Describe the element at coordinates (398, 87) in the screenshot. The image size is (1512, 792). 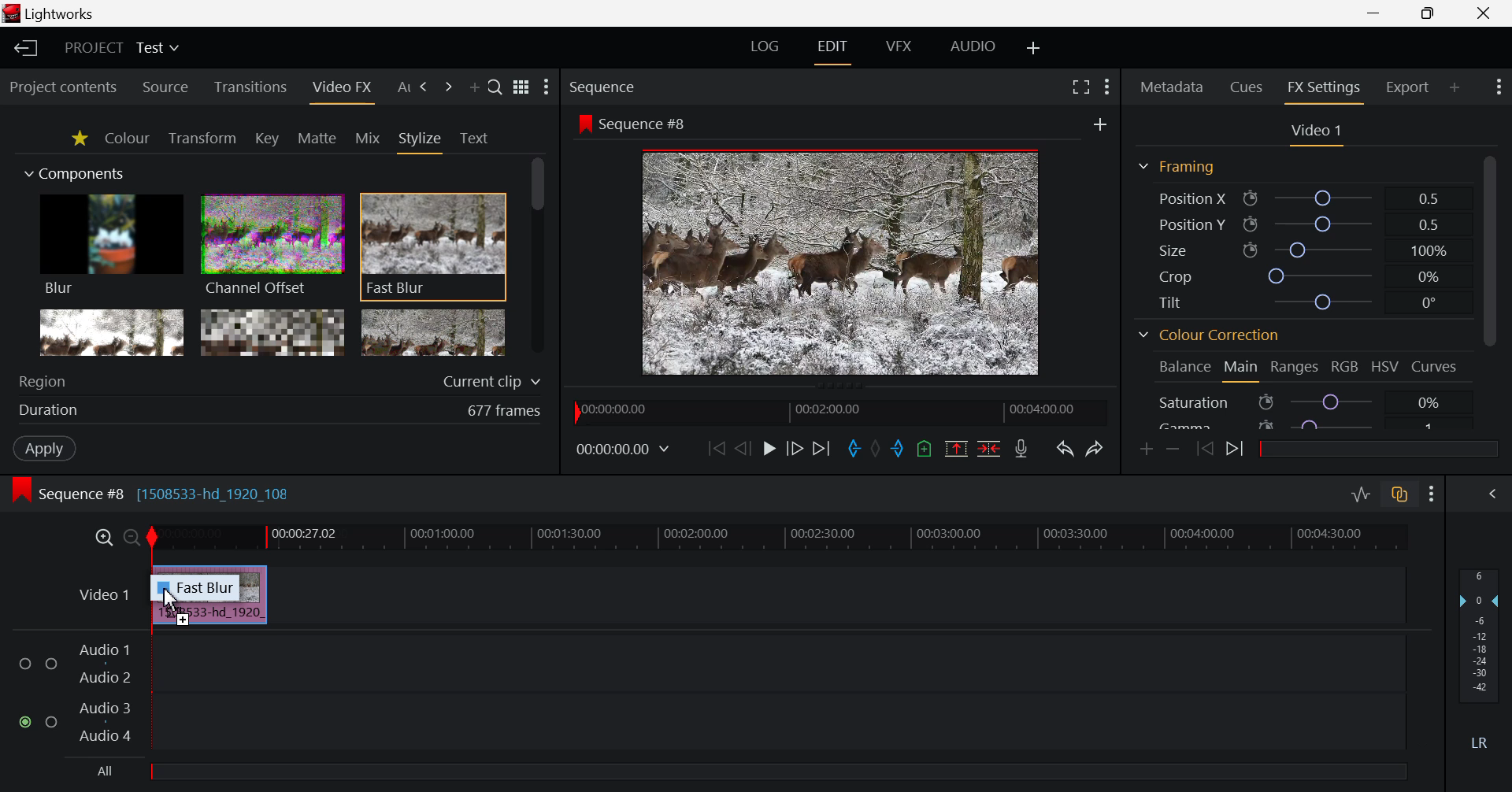
I see `Previous Panel` at that location.